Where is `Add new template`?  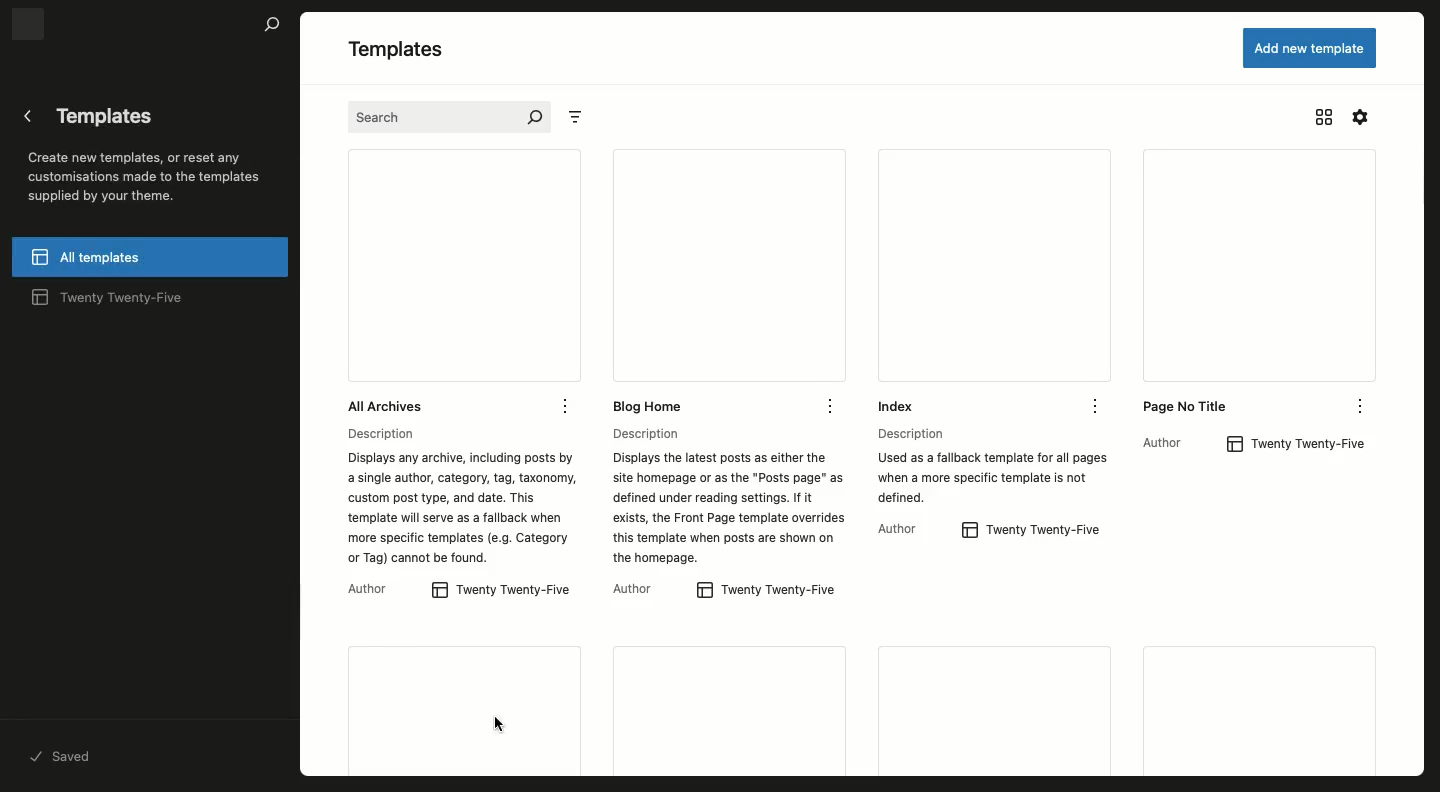 Add new template is located at coordinates (1310, 48).